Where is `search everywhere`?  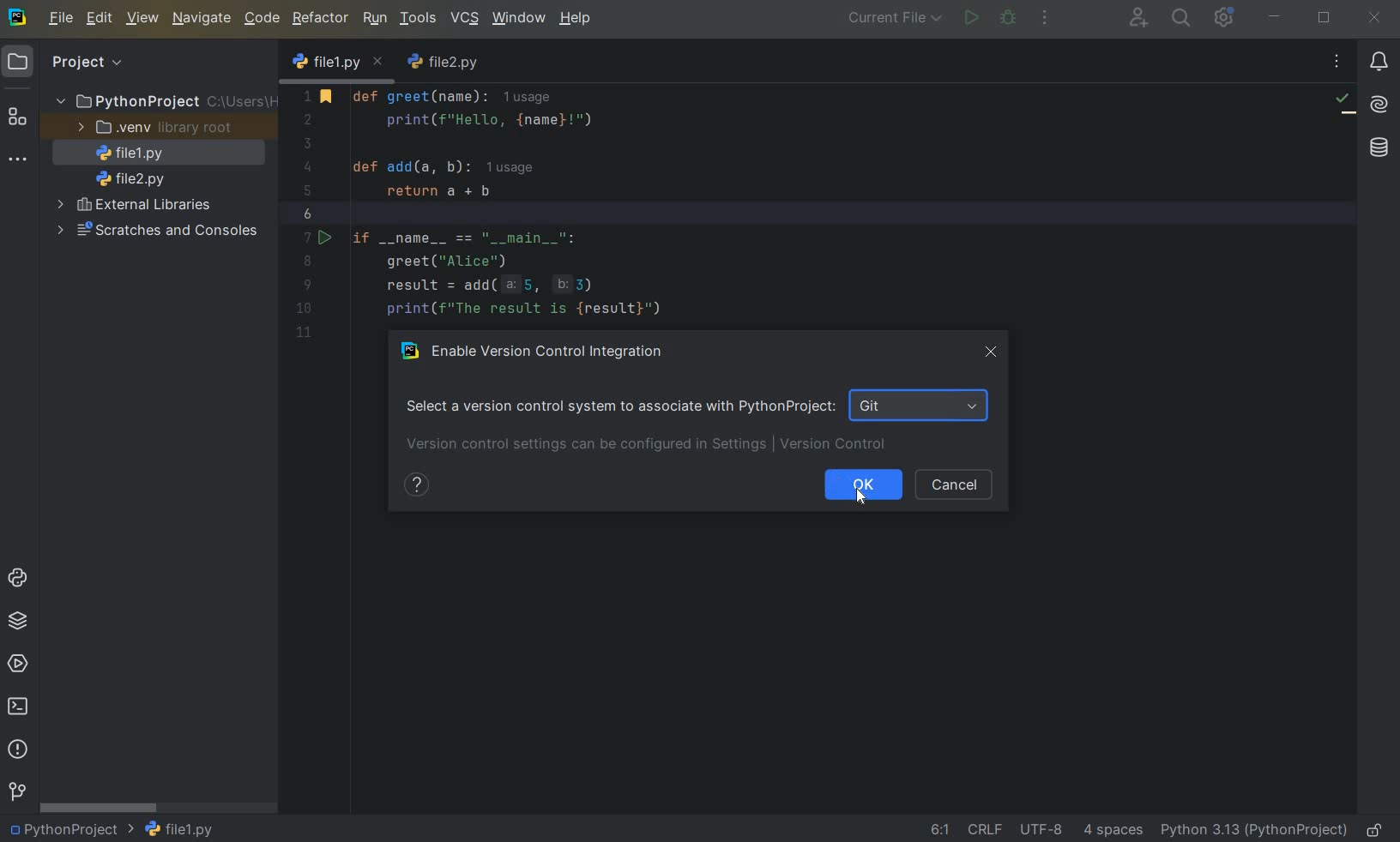 search everywhere is located at coordinates (1182, 17).